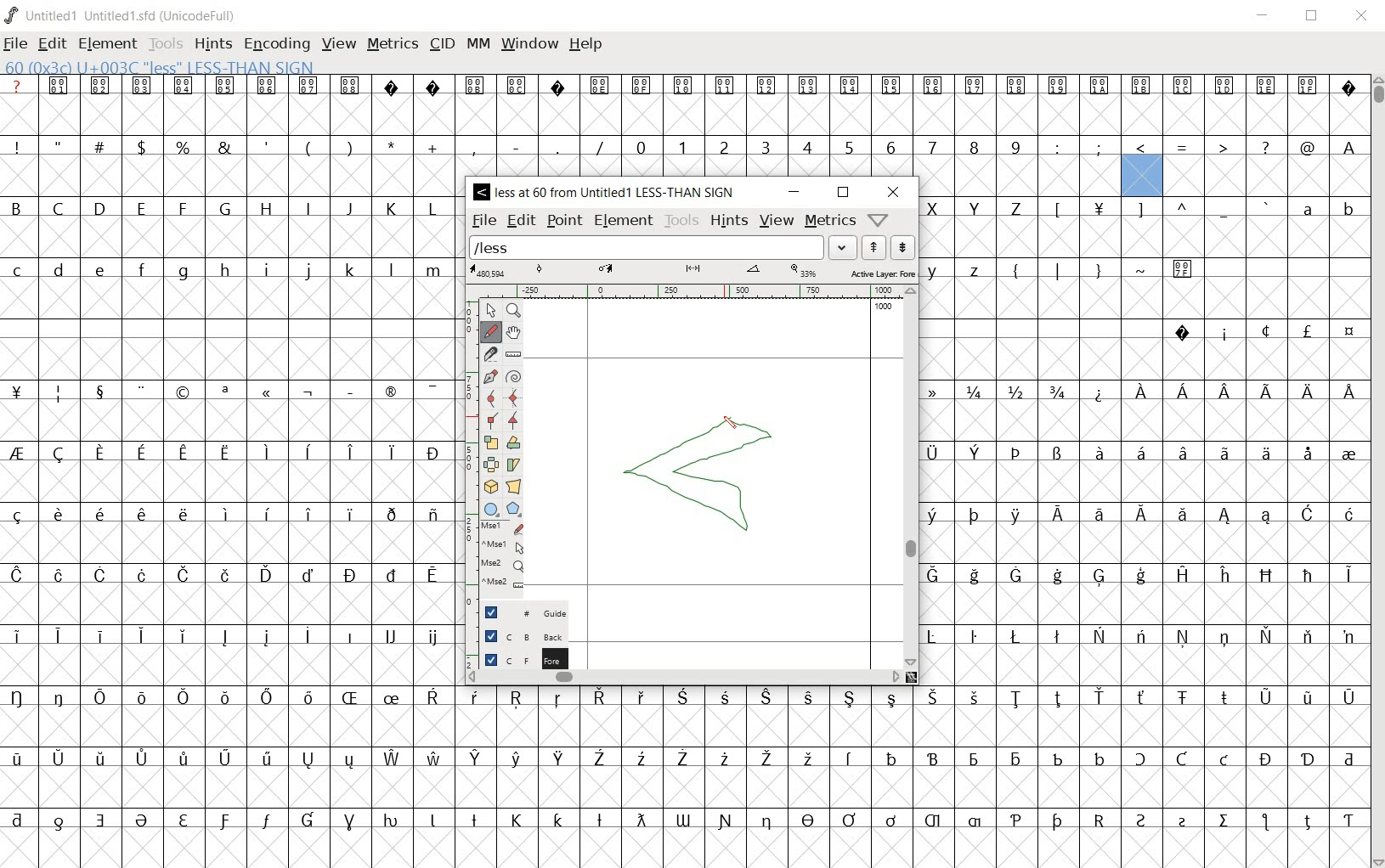 This screenshot has width=1385, height=868. Describe the element at coordinates (108, 43) in the screenshot. I see `element` at that location.